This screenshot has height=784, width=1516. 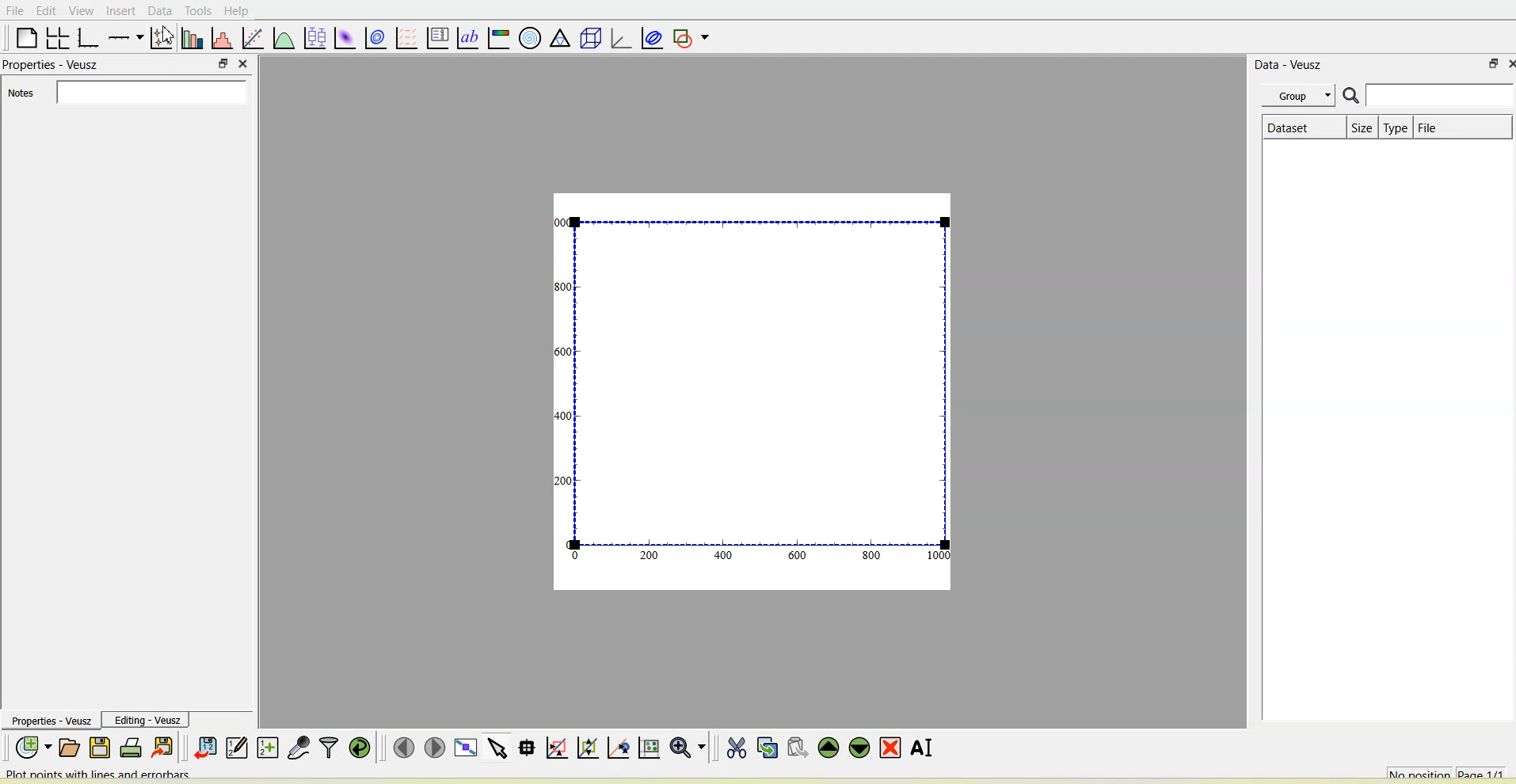 I want to click on Import data into Veusz, so click(x=205, y=748).